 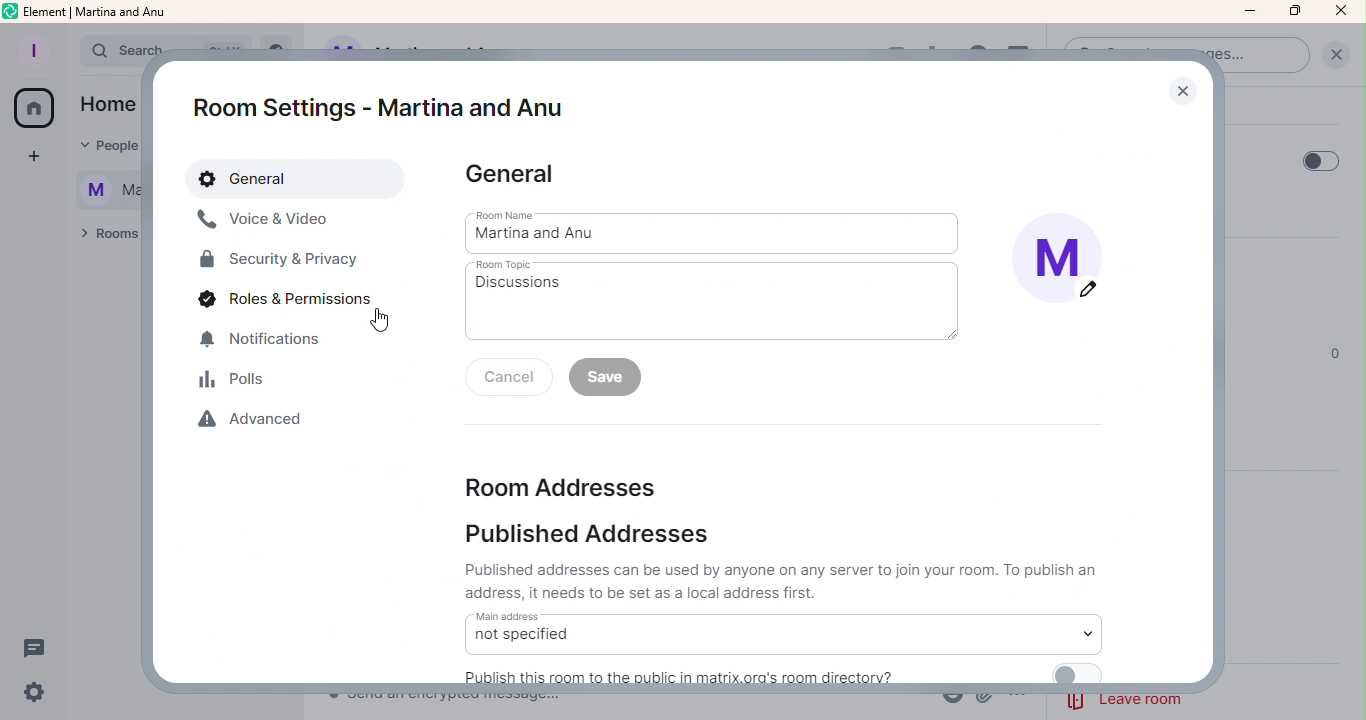 I want to click on Settings, so click(x=37, y=692).